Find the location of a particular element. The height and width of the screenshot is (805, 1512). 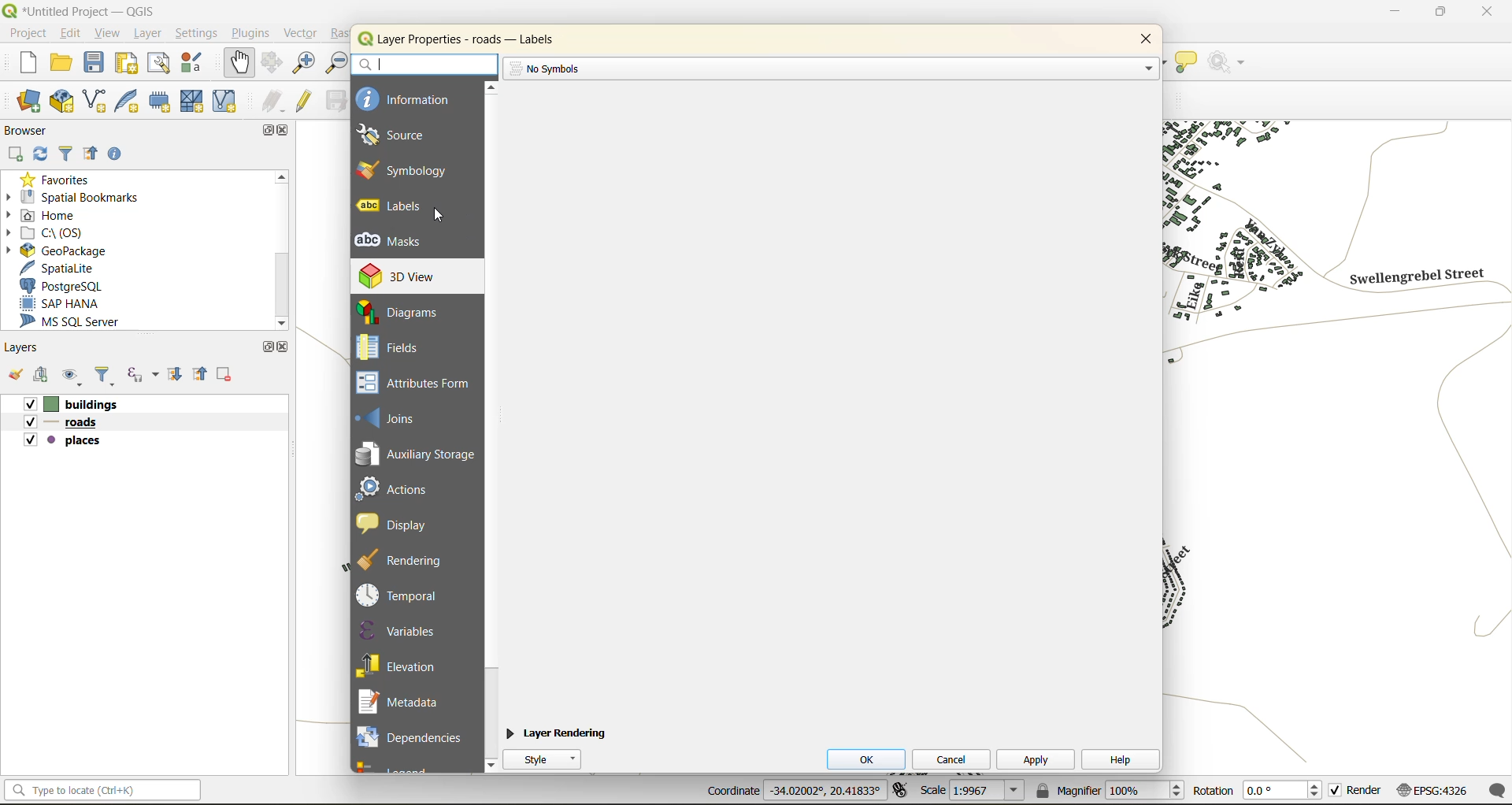

new geopackage layer is located at coordinates (66, 105).